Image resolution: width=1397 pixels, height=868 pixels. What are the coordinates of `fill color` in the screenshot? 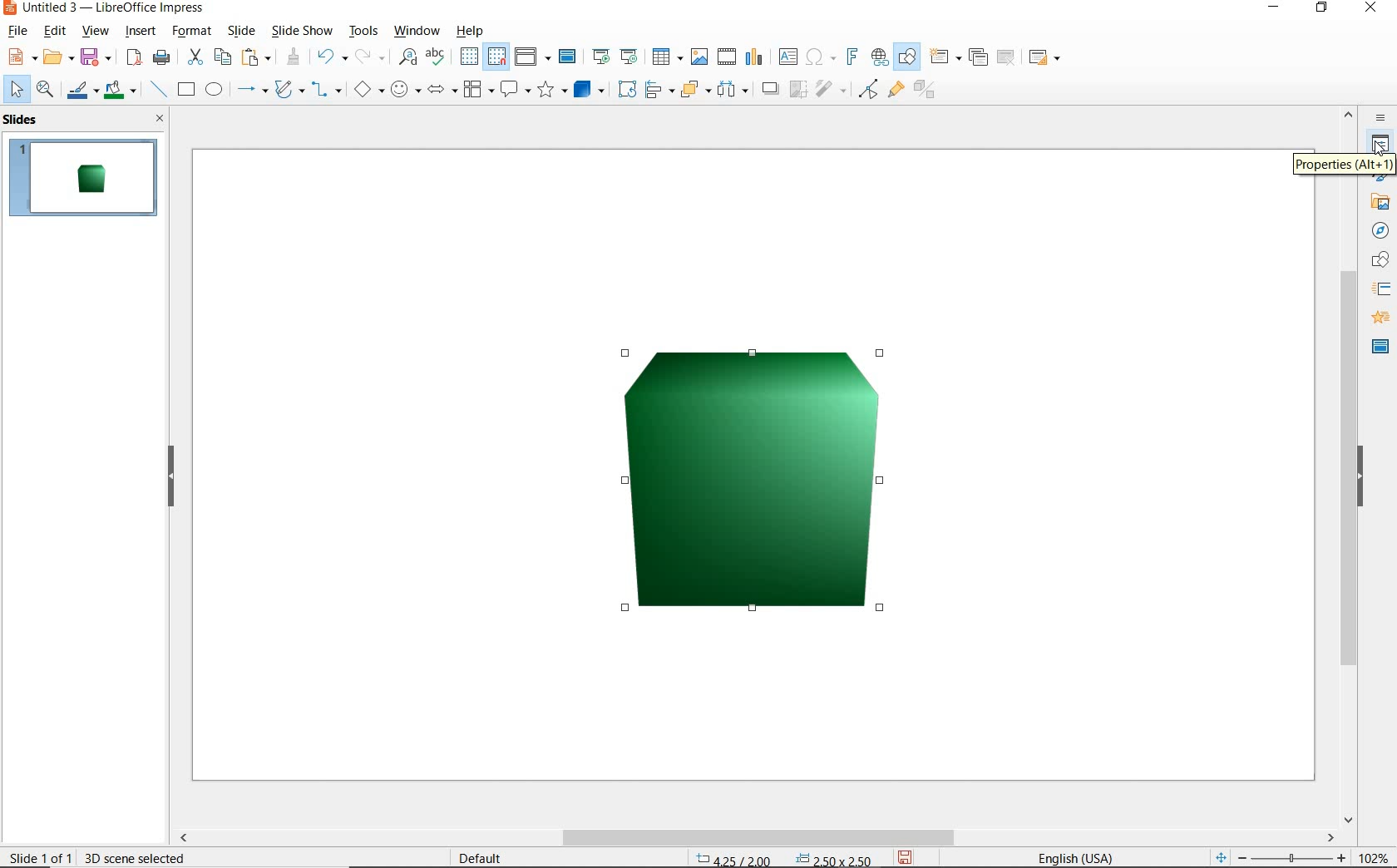 It's located at (121, 91).